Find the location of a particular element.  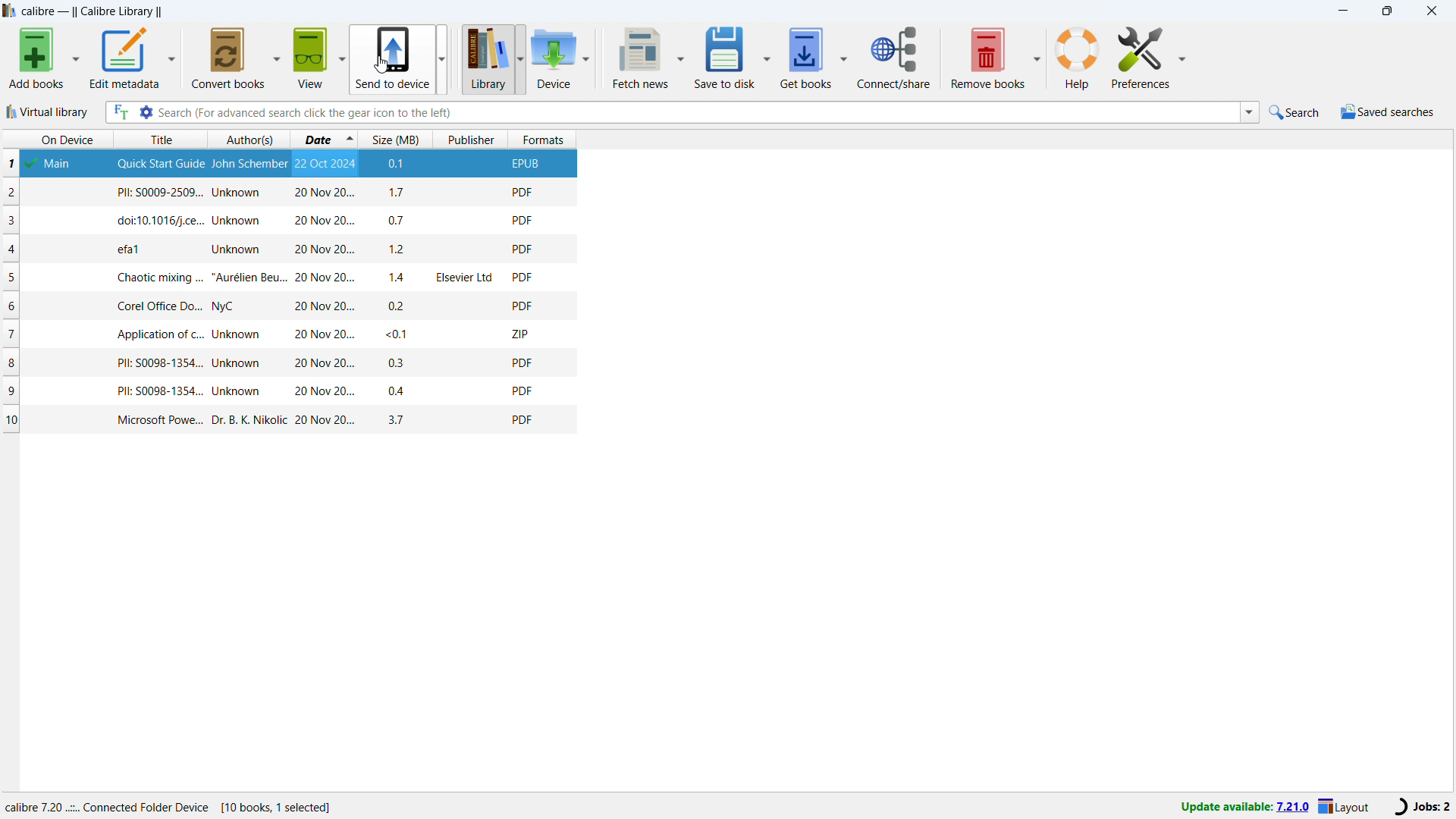

add books is located at coordinates (37, 58).